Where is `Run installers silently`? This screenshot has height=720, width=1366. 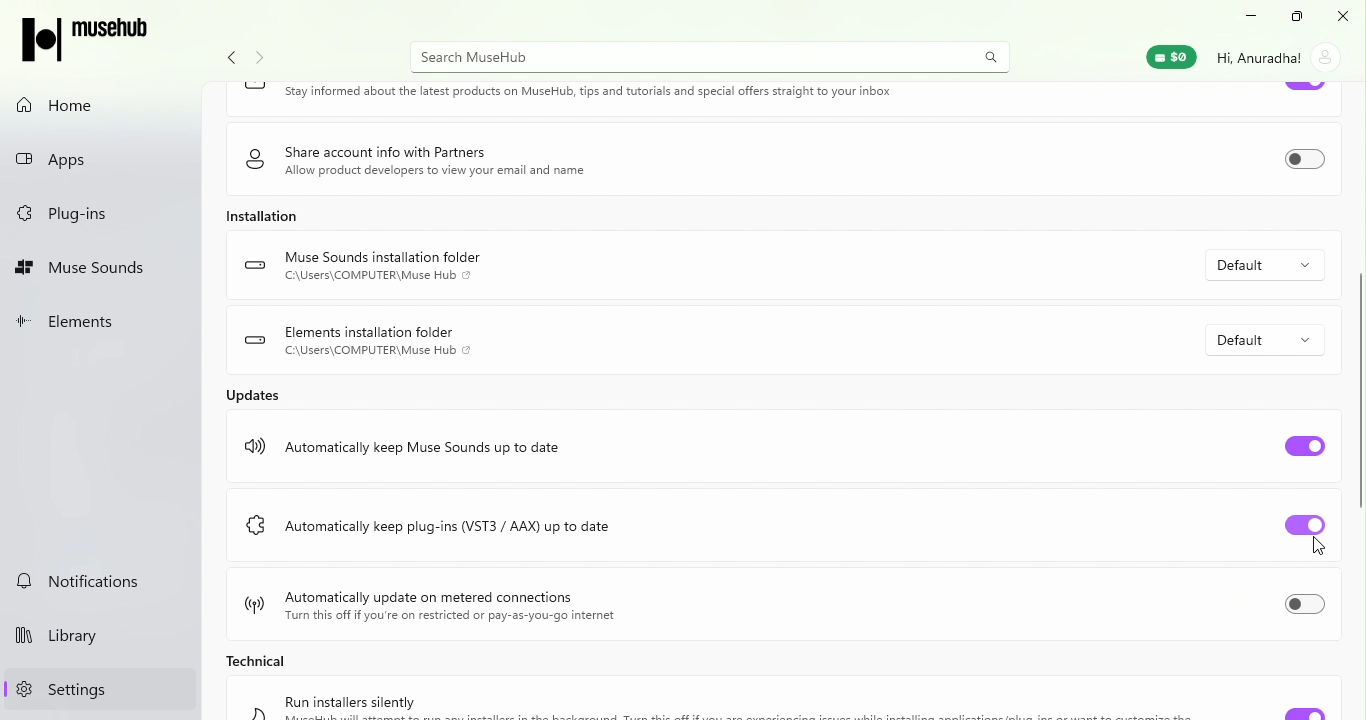
Run installers silently is located at coordinates (352, 700).